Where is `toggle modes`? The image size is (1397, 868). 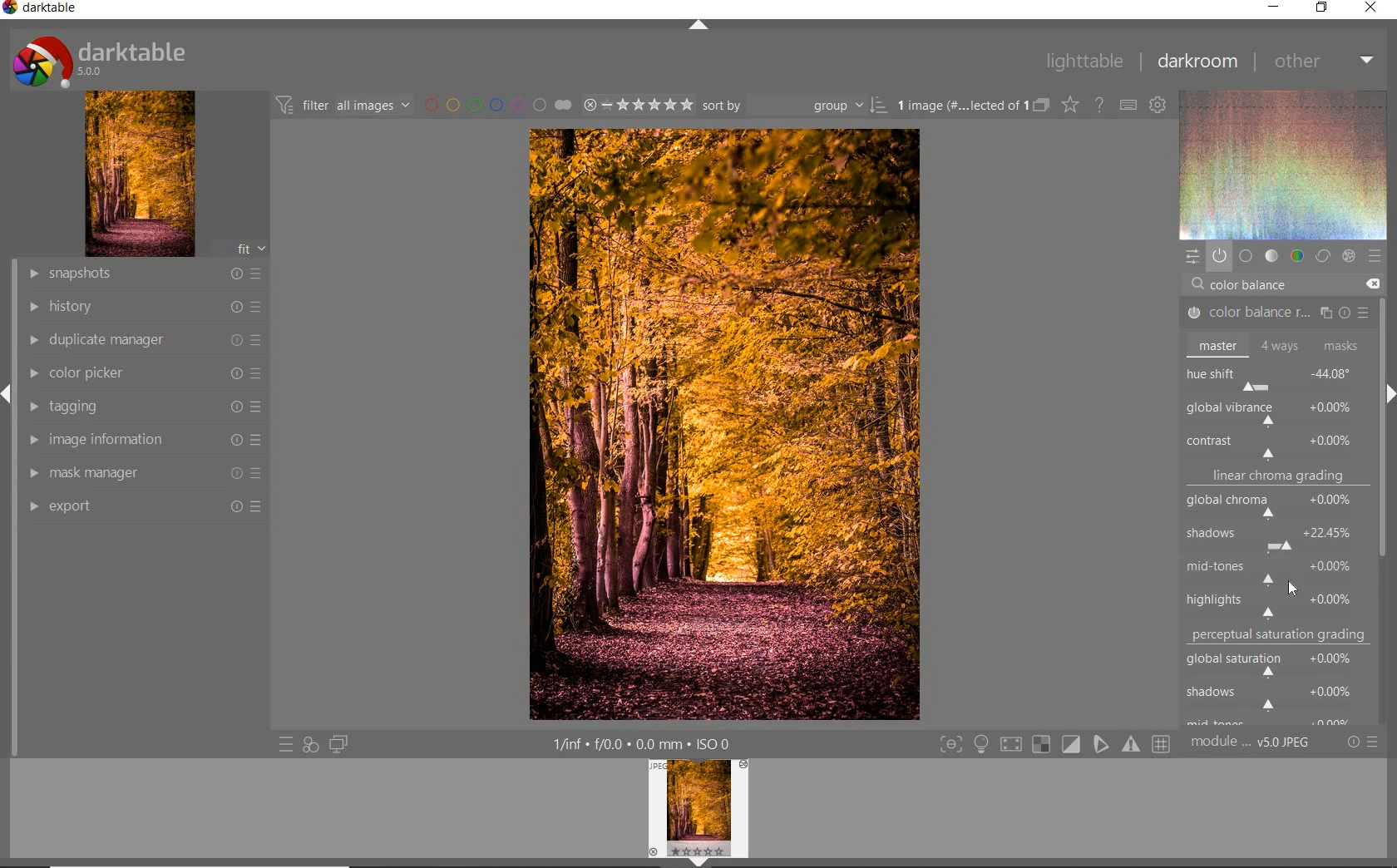
toggle modes is located at coordinates (1051, 744).